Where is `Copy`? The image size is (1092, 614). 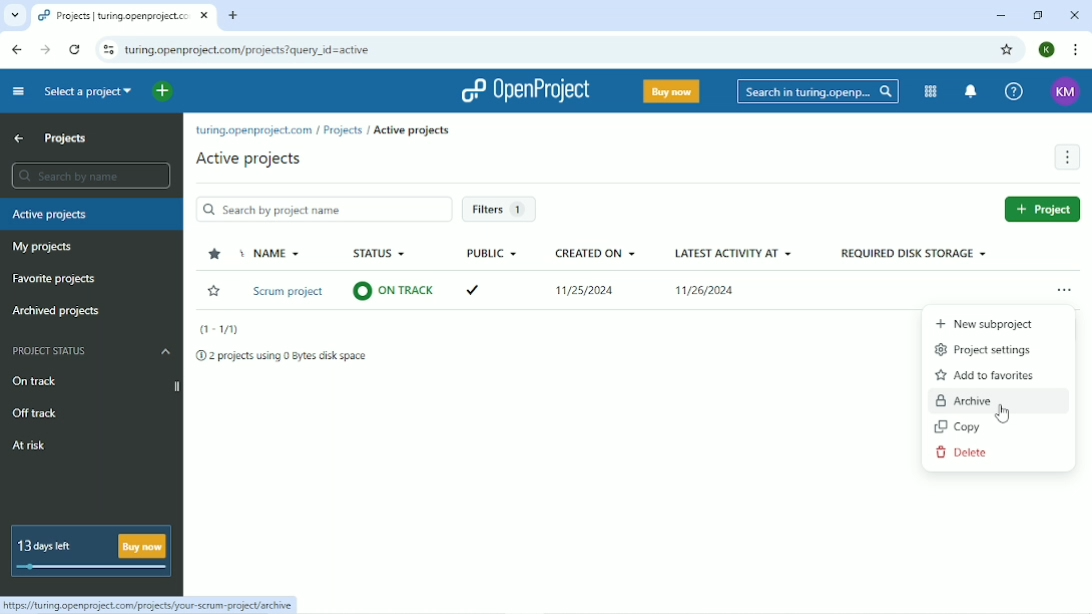
Copy is located at coordinates (960, 427).